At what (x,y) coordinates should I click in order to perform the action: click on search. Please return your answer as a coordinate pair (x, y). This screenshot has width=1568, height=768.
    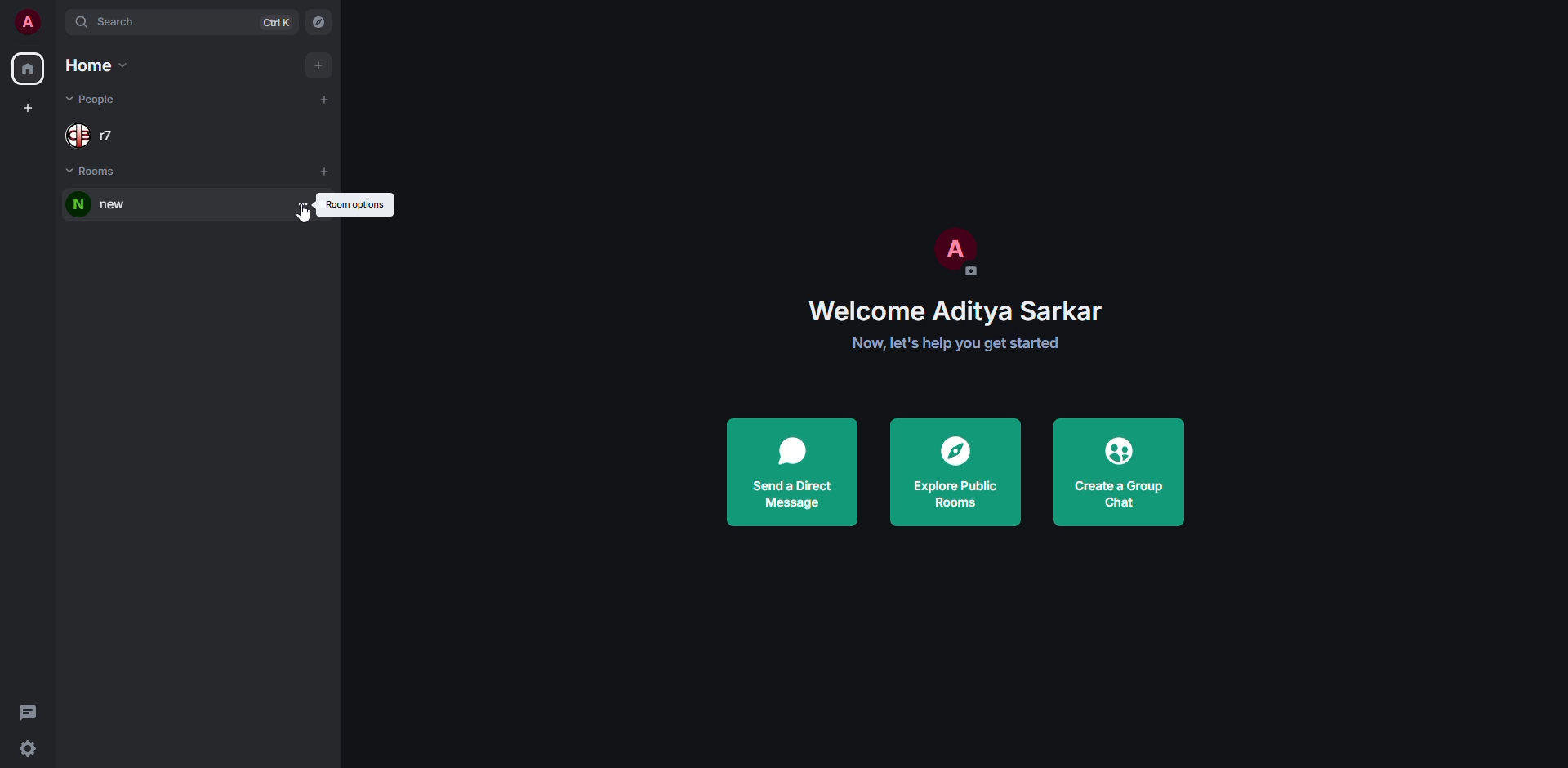
    Looking at the image, I should click on (111, 21).